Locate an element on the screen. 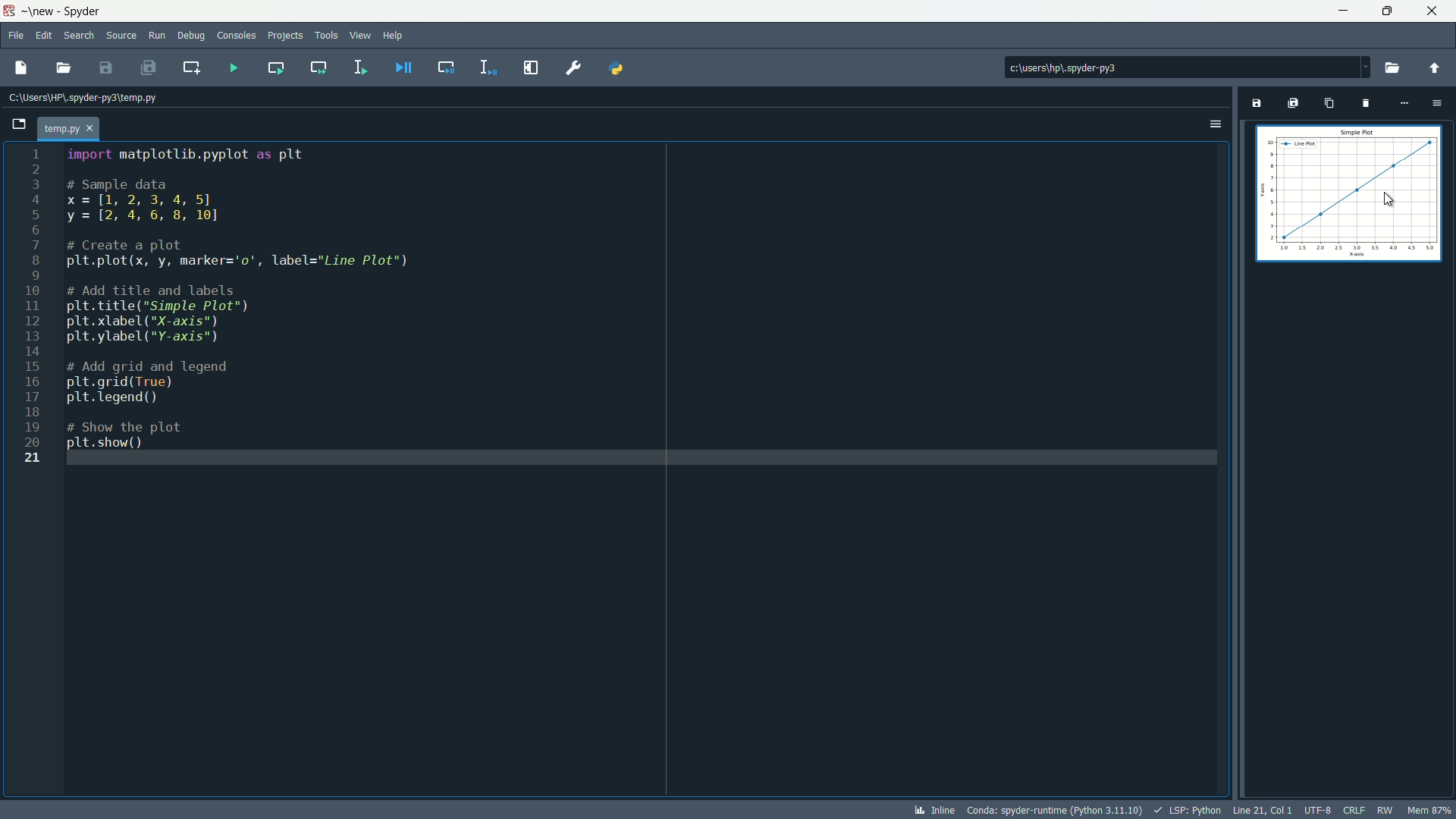  run menu is located at coordinates (157, 34).